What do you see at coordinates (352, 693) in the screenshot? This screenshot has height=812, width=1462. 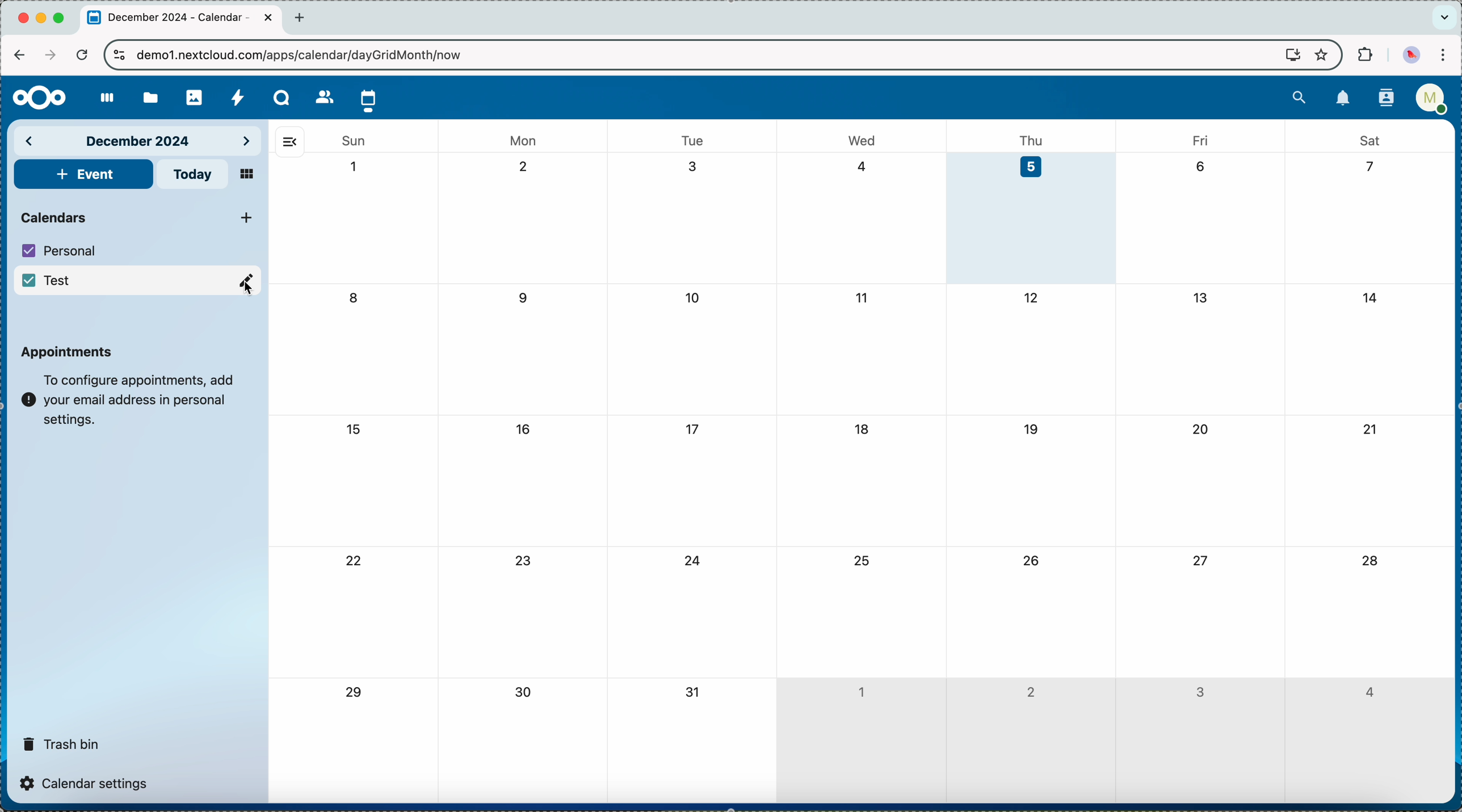 I see `29` at bounding box center [352, 693].